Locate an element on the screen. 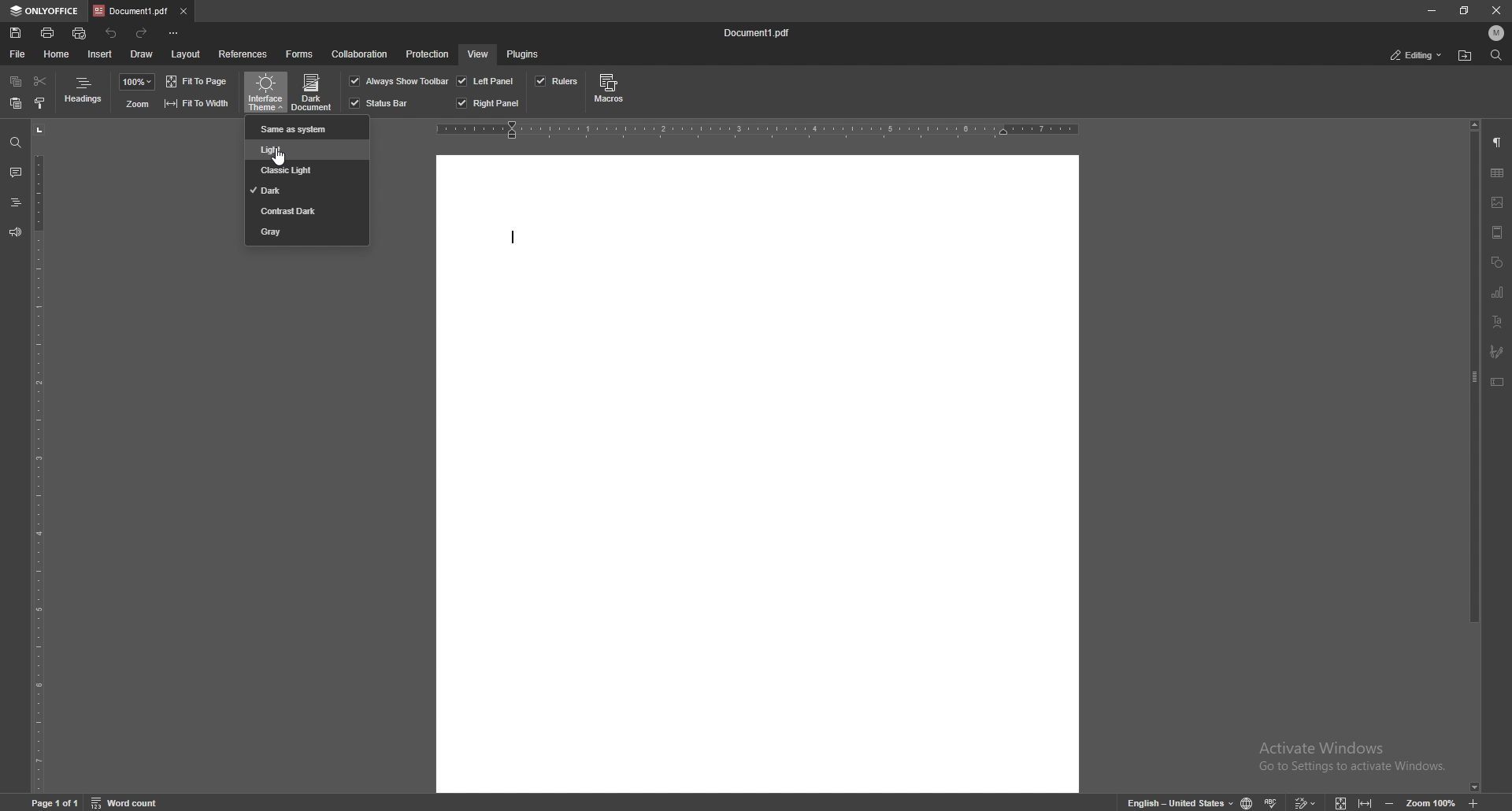 The height and width of the screenshot is (811, 1512). change text language is located at coordinates (1180, 803).